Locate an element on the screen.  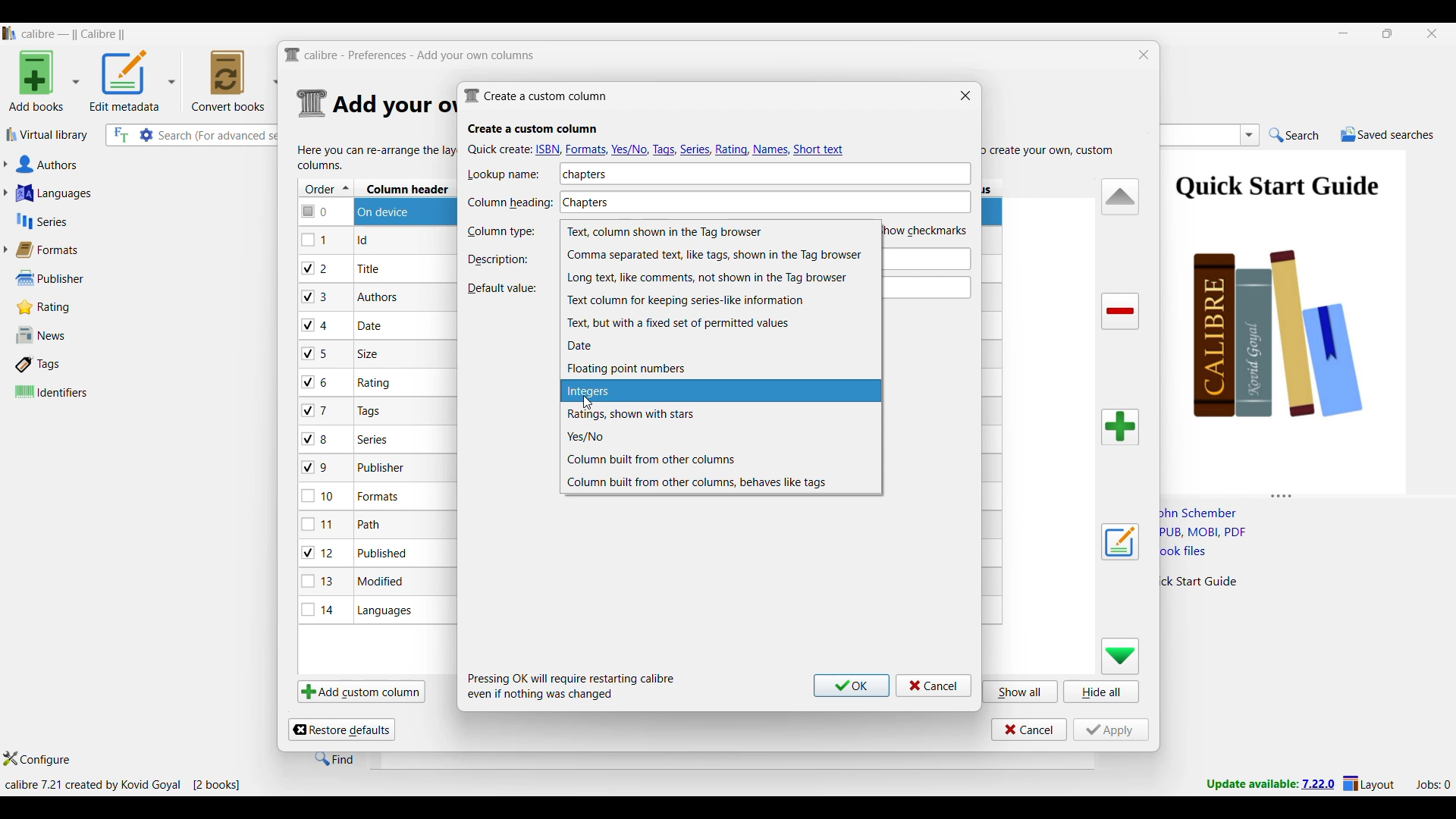
Indicates description text box is located at coordinates (498, 259).